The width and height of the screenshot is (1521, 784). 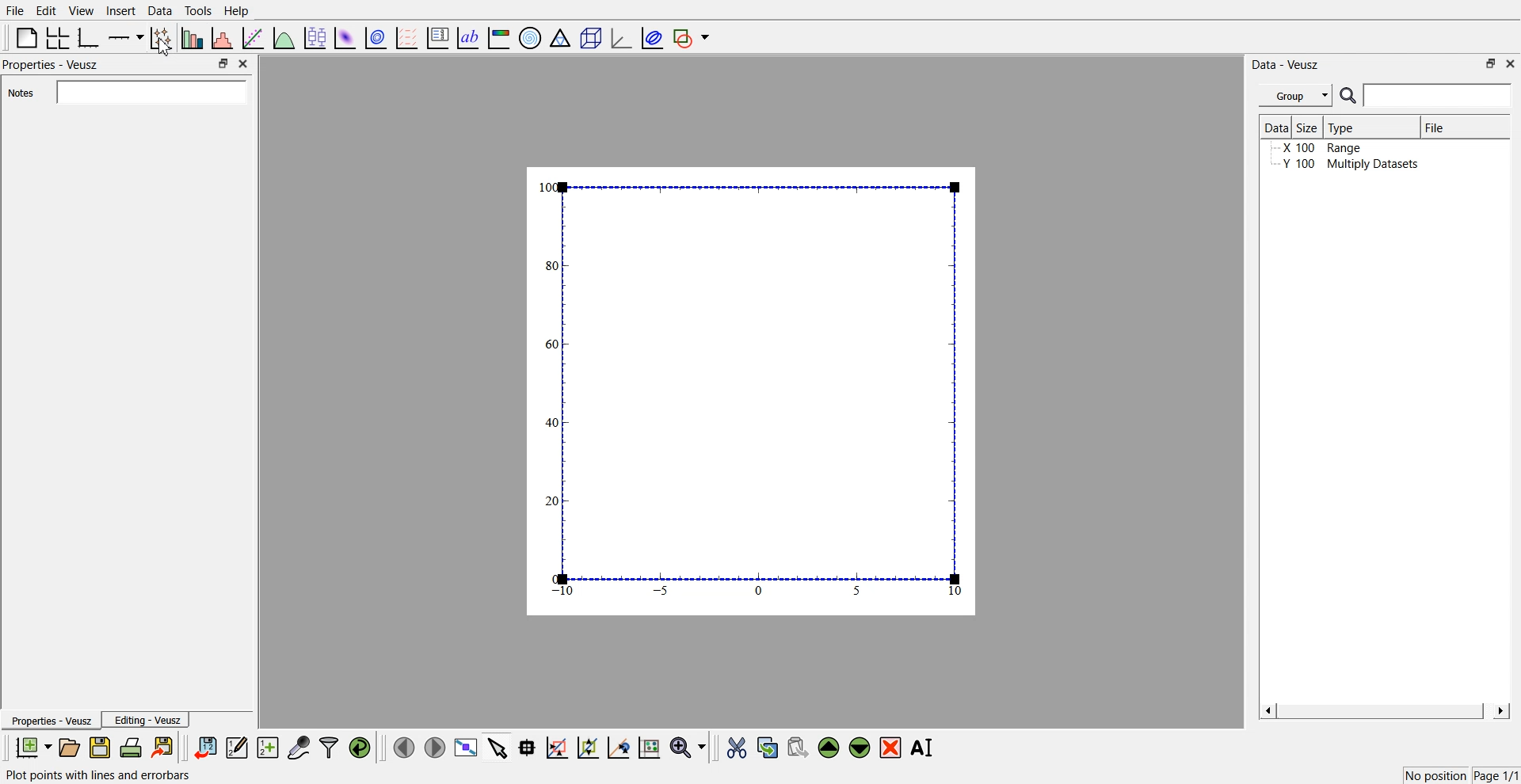 I want to click on minimise or maximise, so click(x=223, y=64).